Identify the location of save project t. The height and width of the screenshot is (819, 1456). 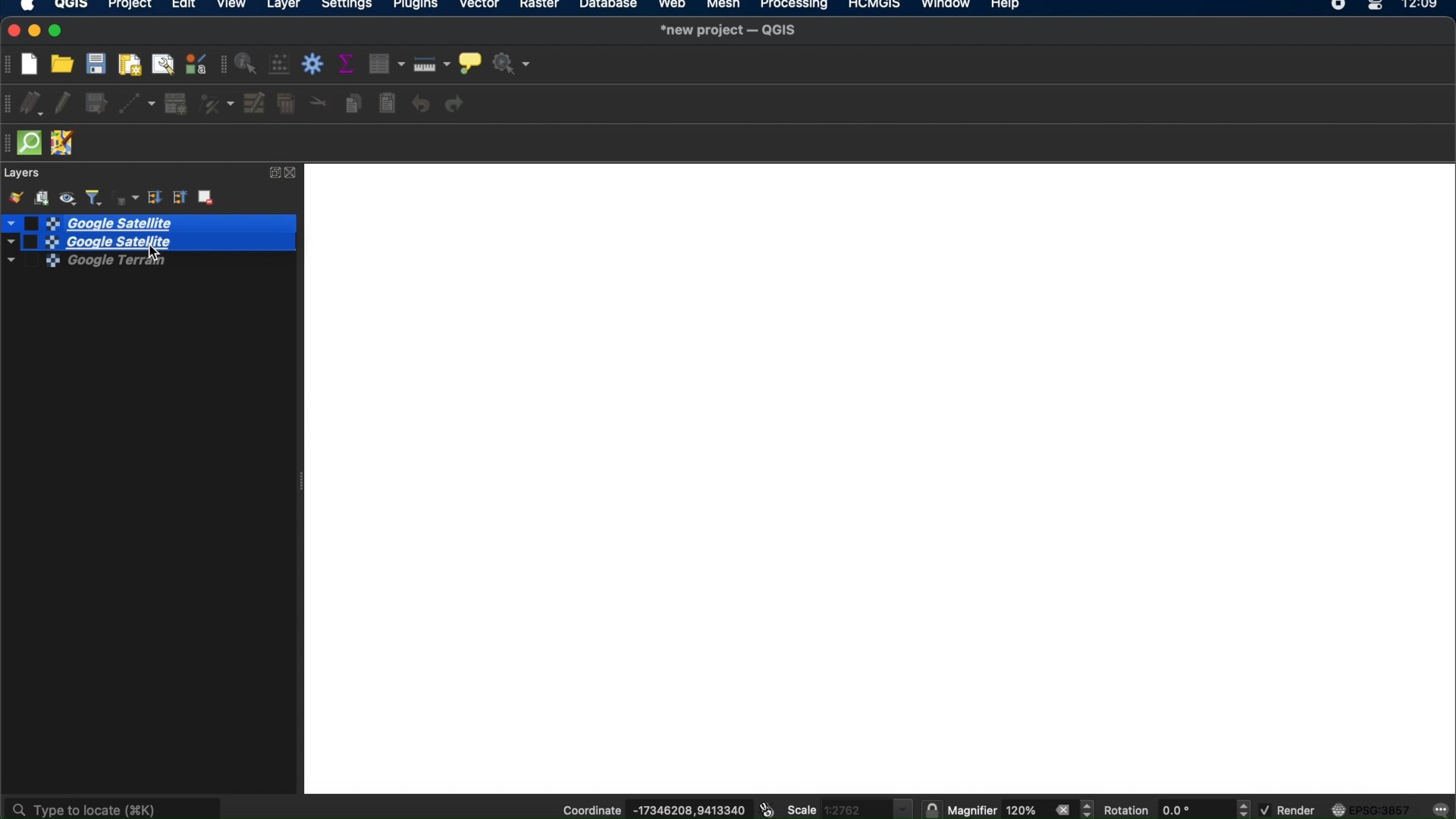
(97, 64).